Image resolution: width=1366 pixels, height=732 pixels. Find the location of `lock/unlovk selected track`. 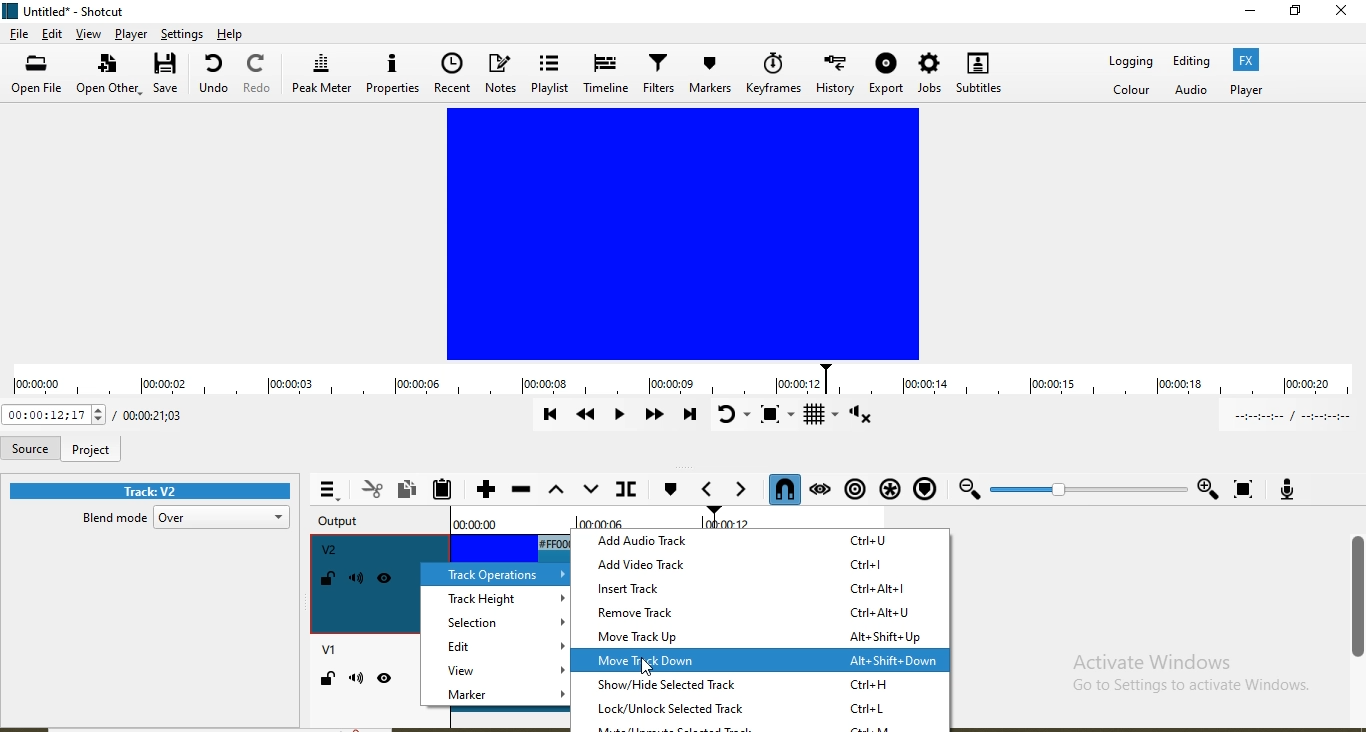

lock/unlovk selected track is located at coordinates (761, 709).